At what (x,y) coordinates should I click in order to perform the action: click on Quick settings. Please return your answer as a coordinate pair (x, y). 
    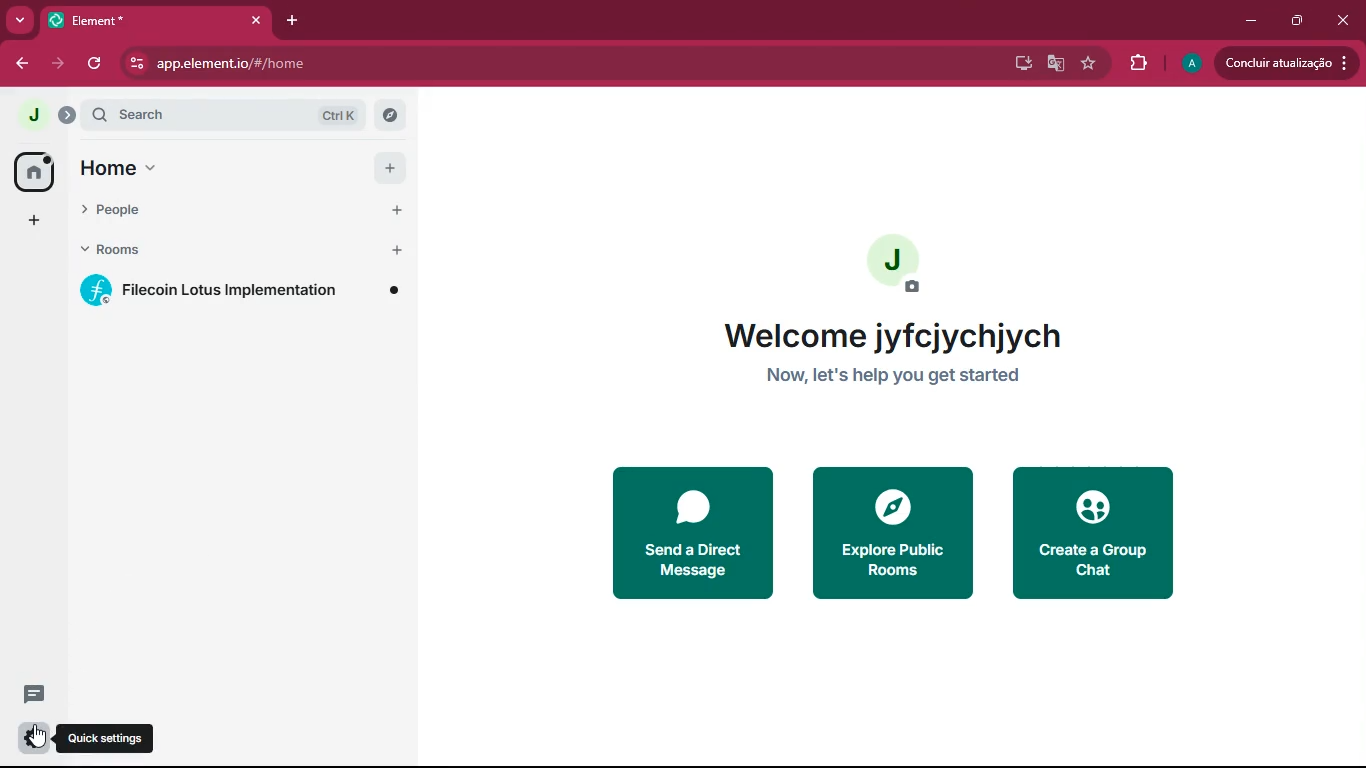
    Looking at the image, I should click on (110, 738).